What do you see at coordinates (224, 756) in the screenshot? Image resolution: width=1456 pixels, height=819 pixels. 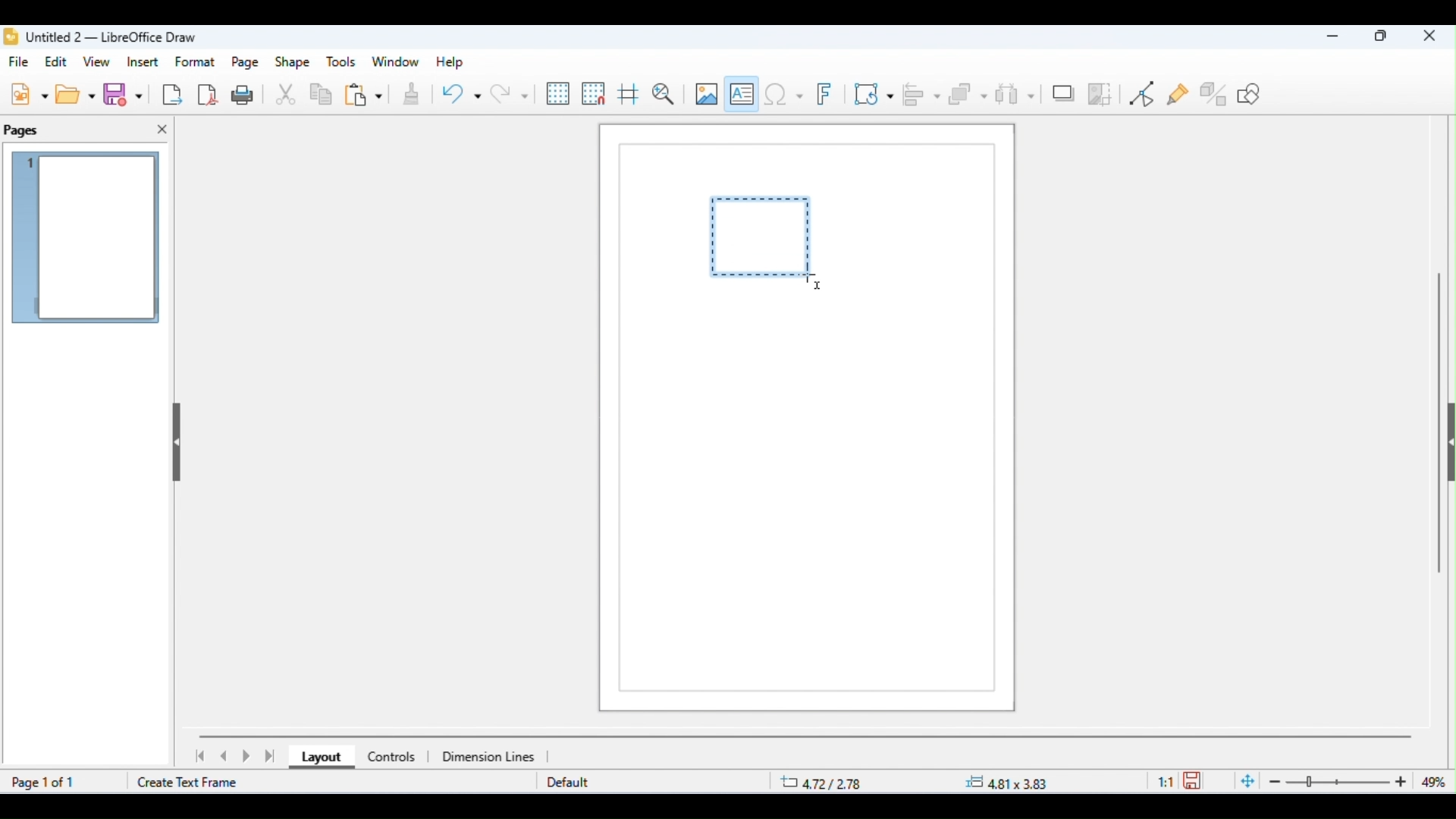 I see `previous page` at bounding box center [224, 756].